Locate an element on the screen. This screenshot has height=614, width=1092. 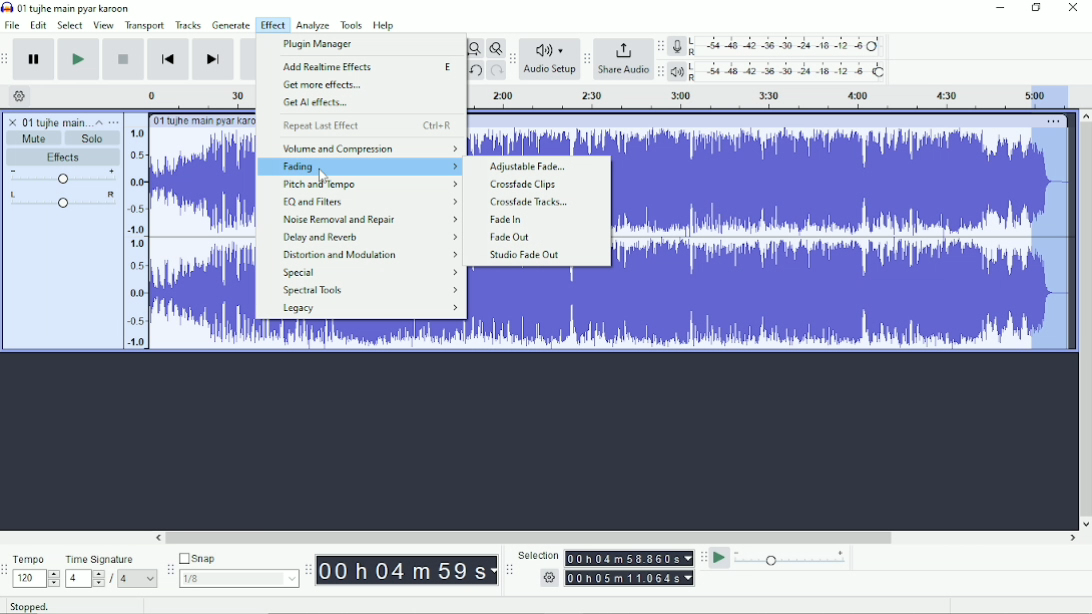
View is located at coordinates (104, 26).